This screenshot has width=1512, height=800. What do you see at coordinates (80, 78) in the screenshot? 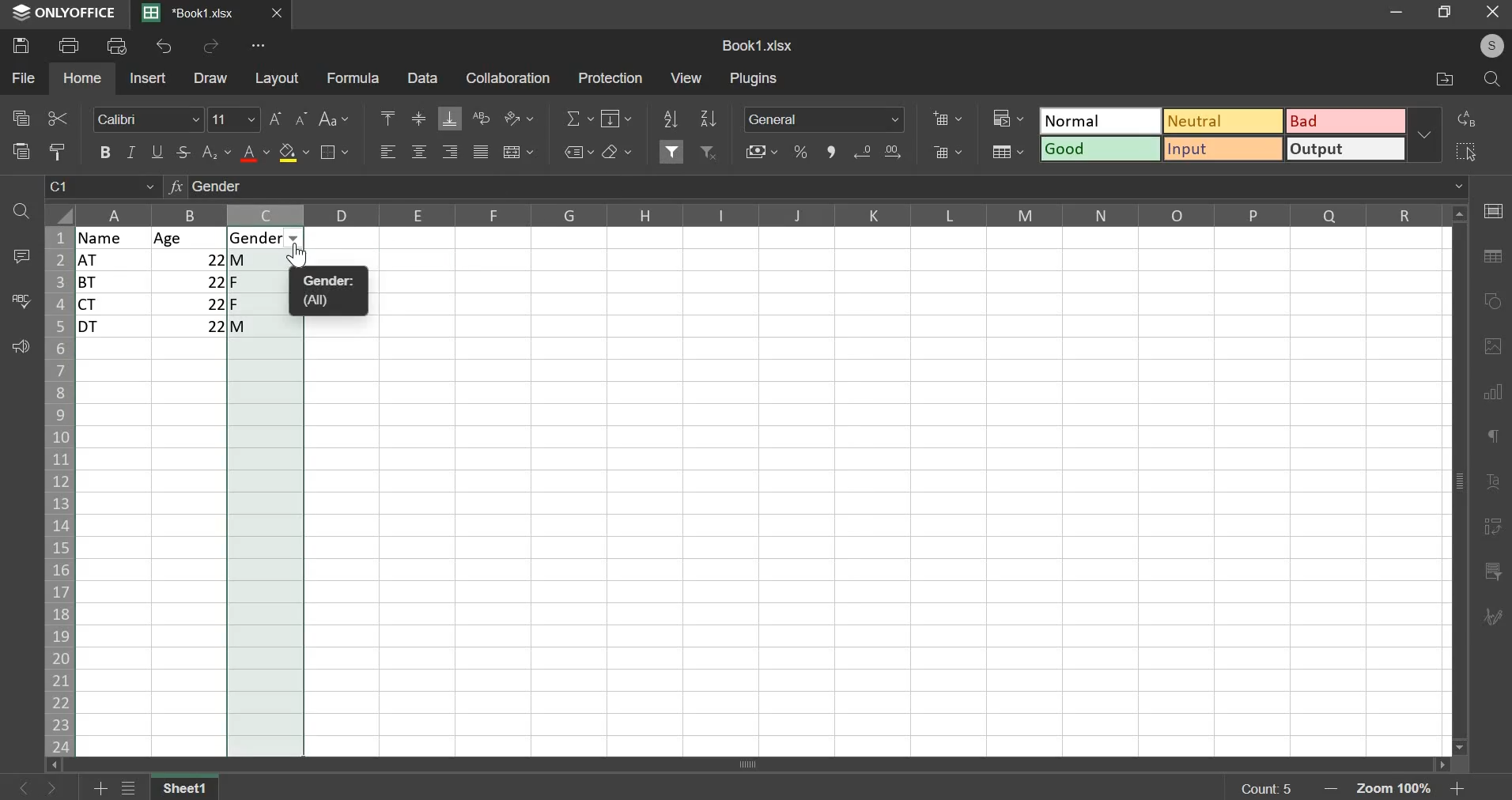
I see `` at bounding box center [80, 78].